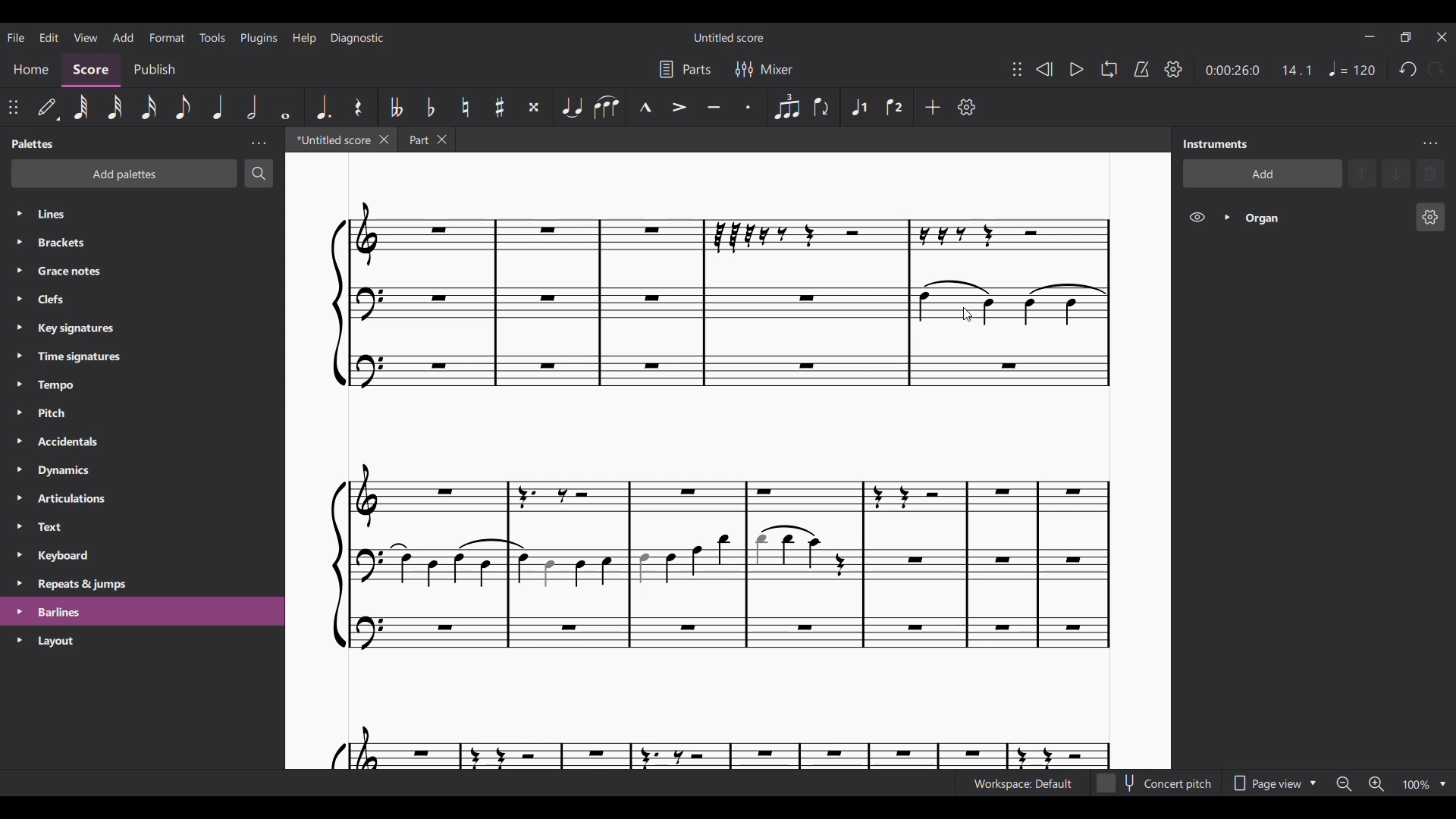  Describe the element at coordinates (728, 37) in the screenshot. I see `Score title` at that location.